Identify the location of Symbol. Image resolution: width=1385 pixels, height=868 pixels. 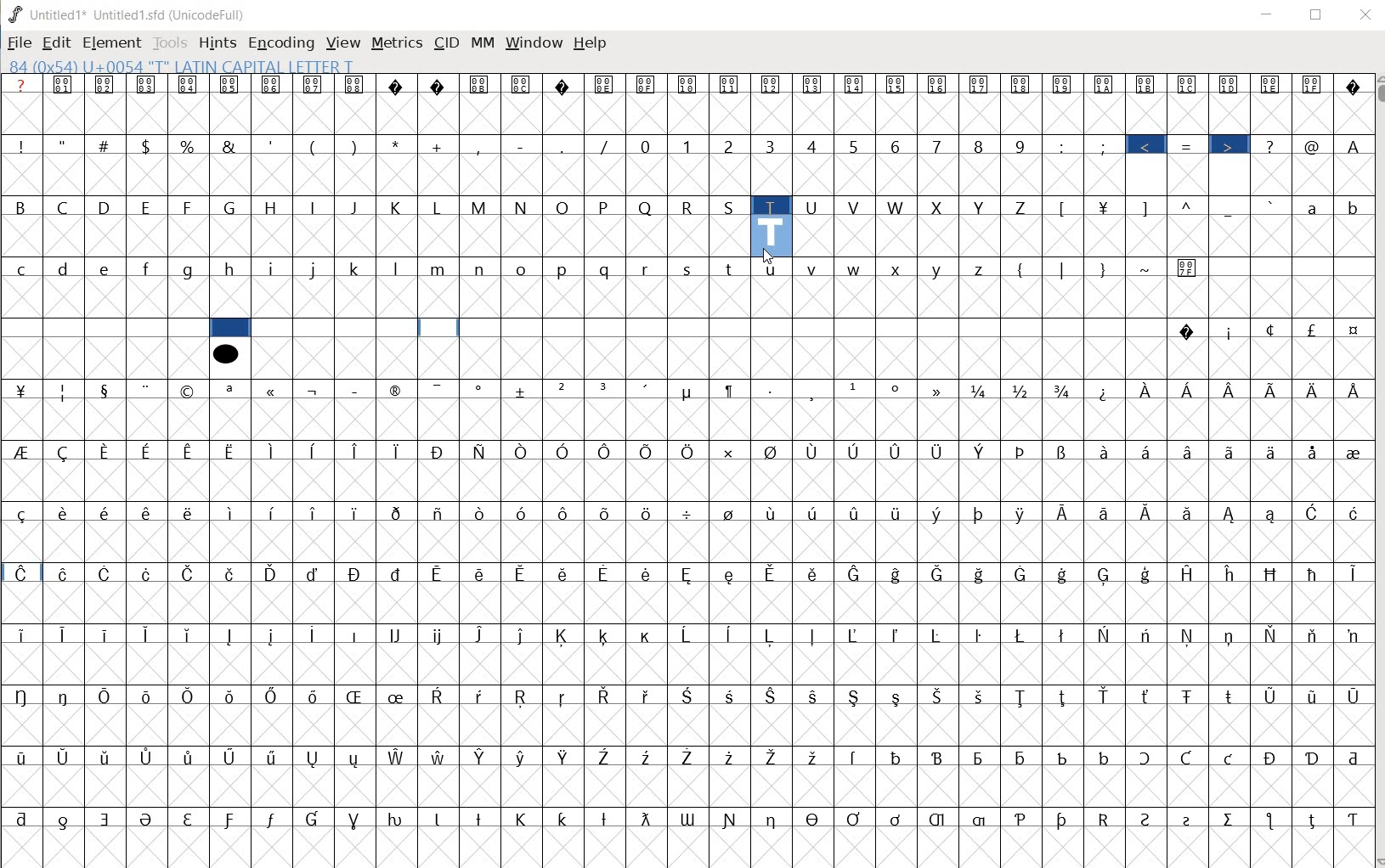
(357, 635).